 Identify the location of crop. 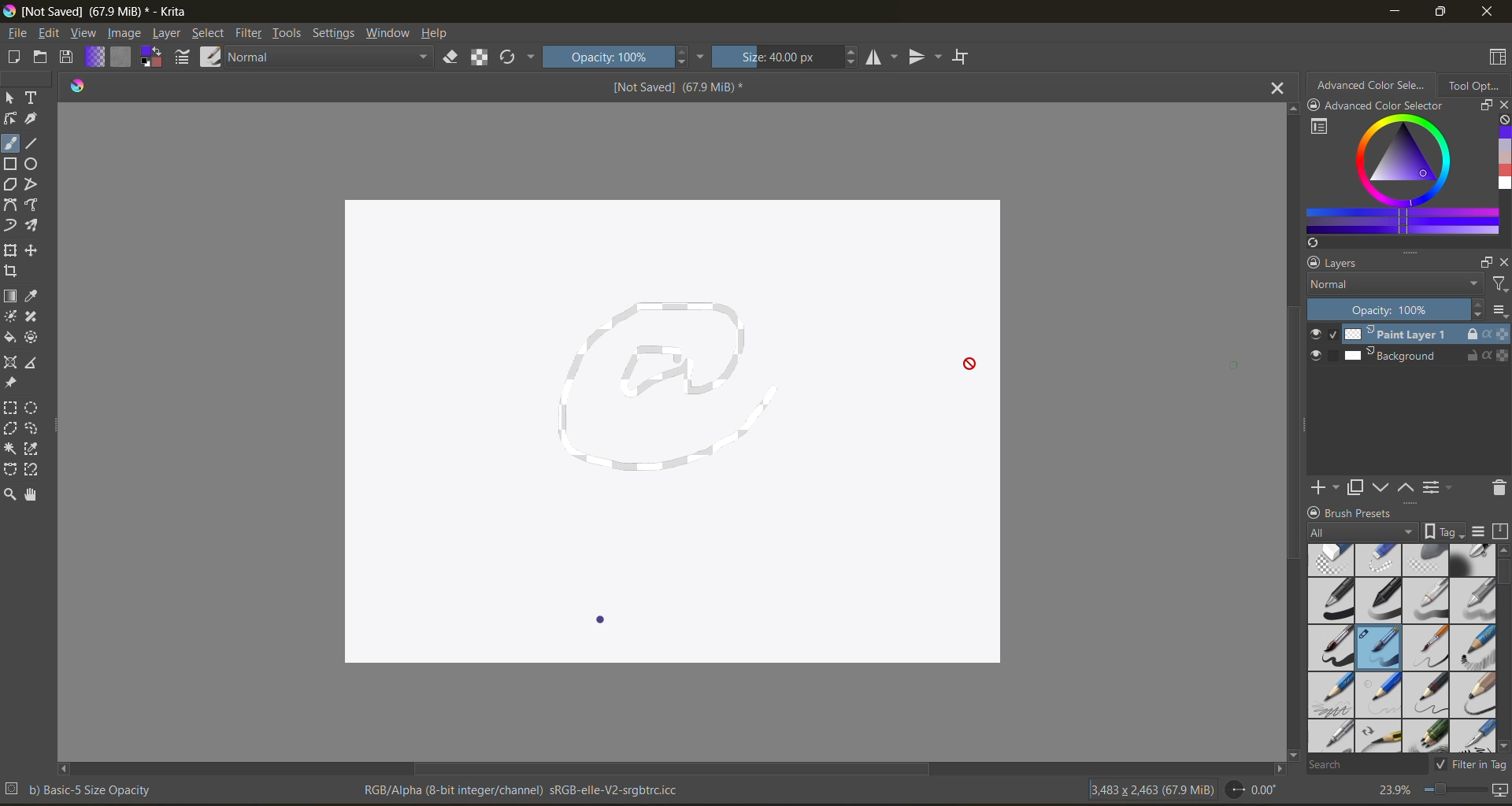
(10, 272).